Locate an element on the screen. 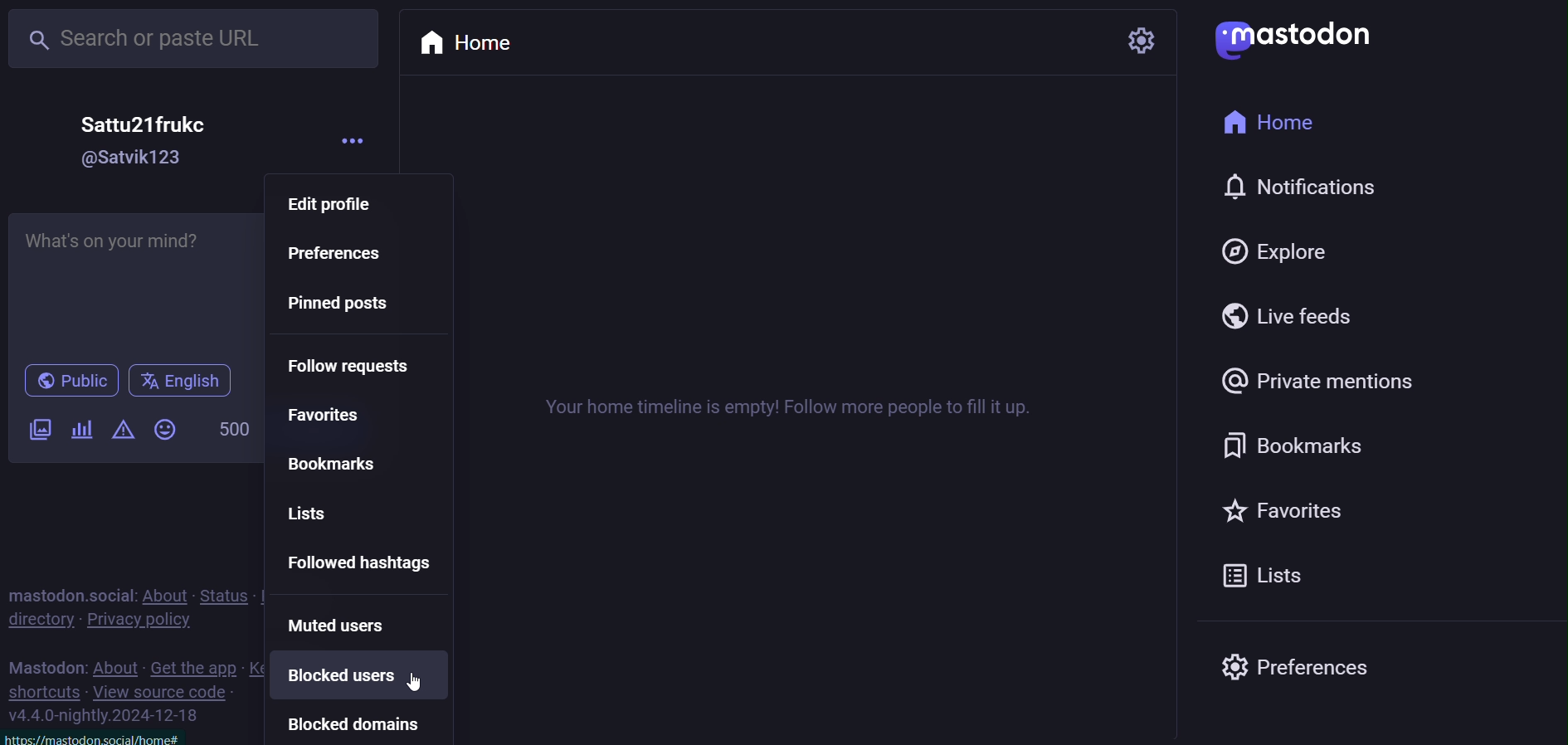  about is located at coordinates (168, 589).